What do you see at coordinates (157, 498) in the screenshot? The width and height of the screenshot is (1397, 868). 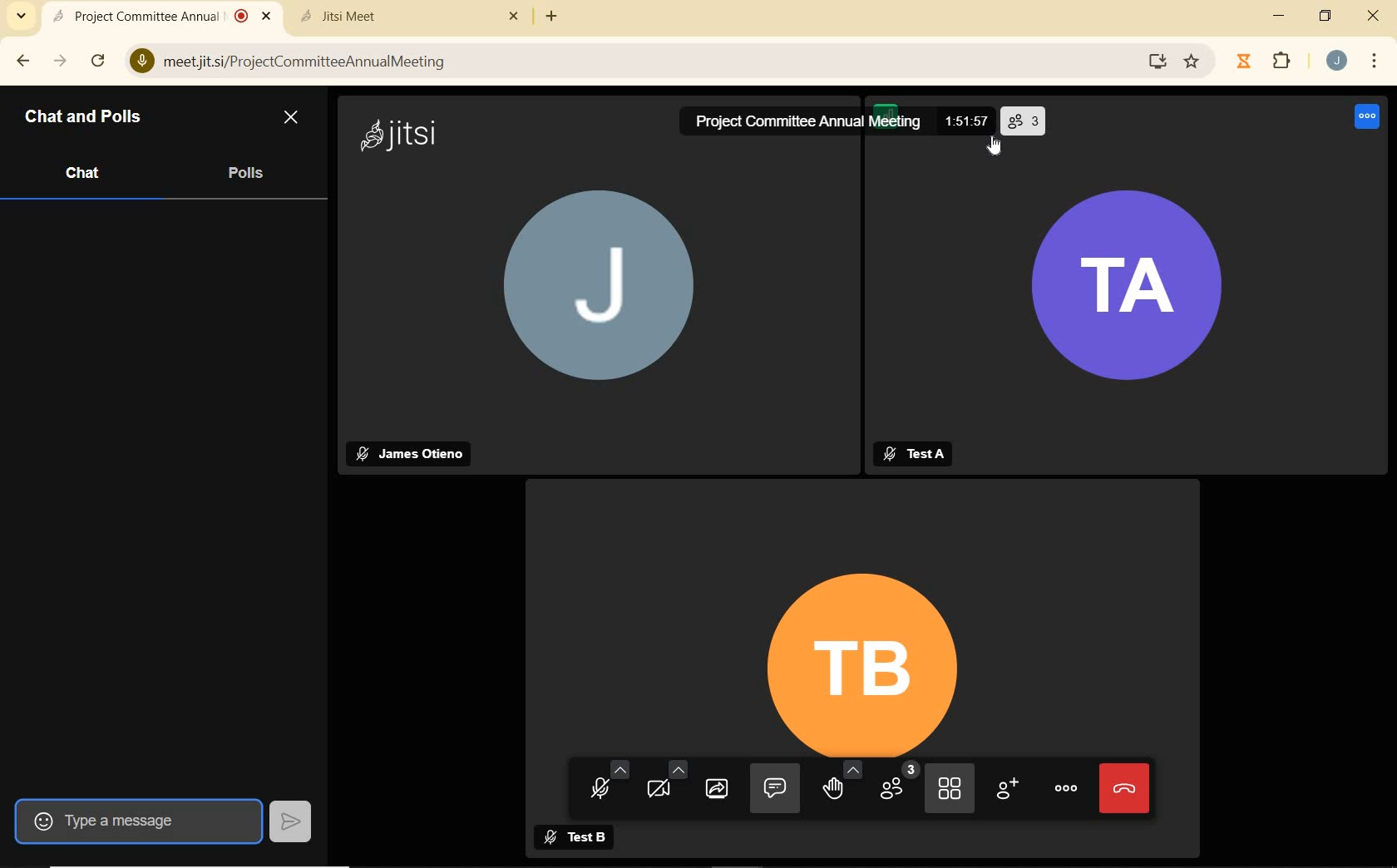 I see `chat space` at bounding box center [157, 498].